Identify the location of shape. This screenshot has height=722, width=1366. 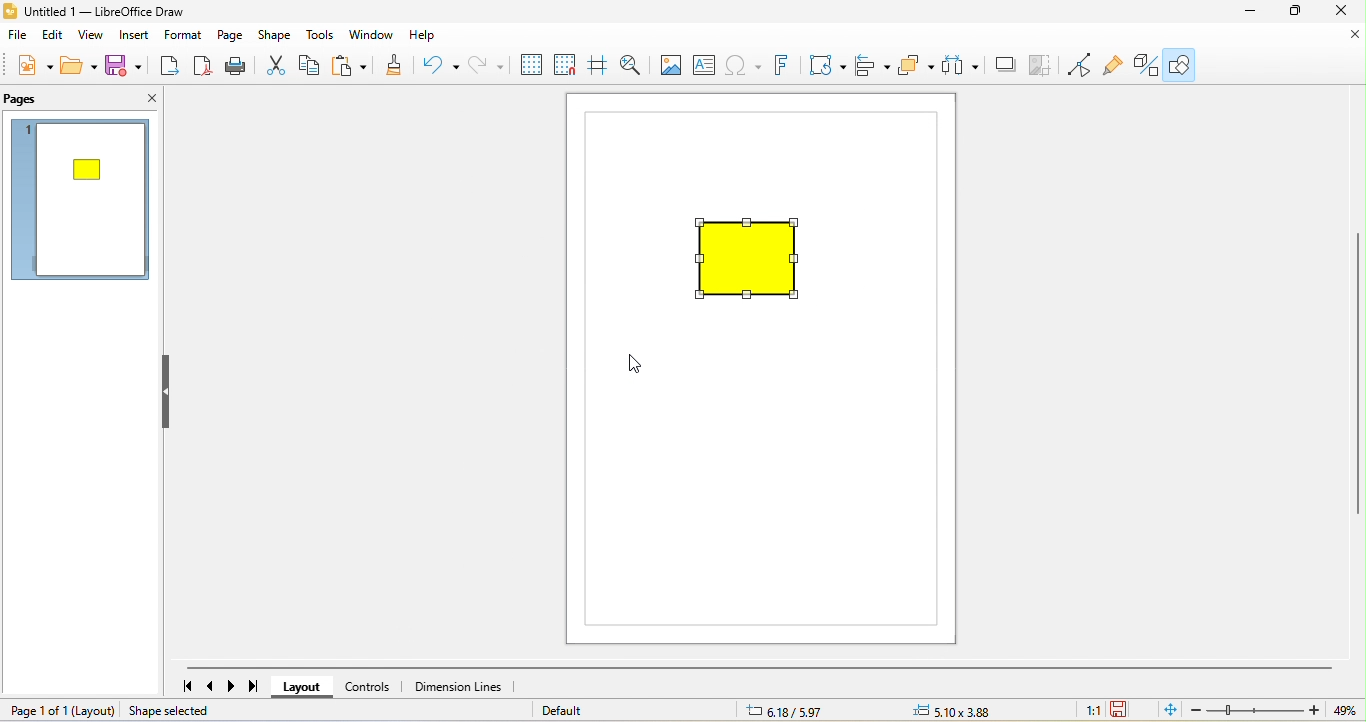
(273, 37).